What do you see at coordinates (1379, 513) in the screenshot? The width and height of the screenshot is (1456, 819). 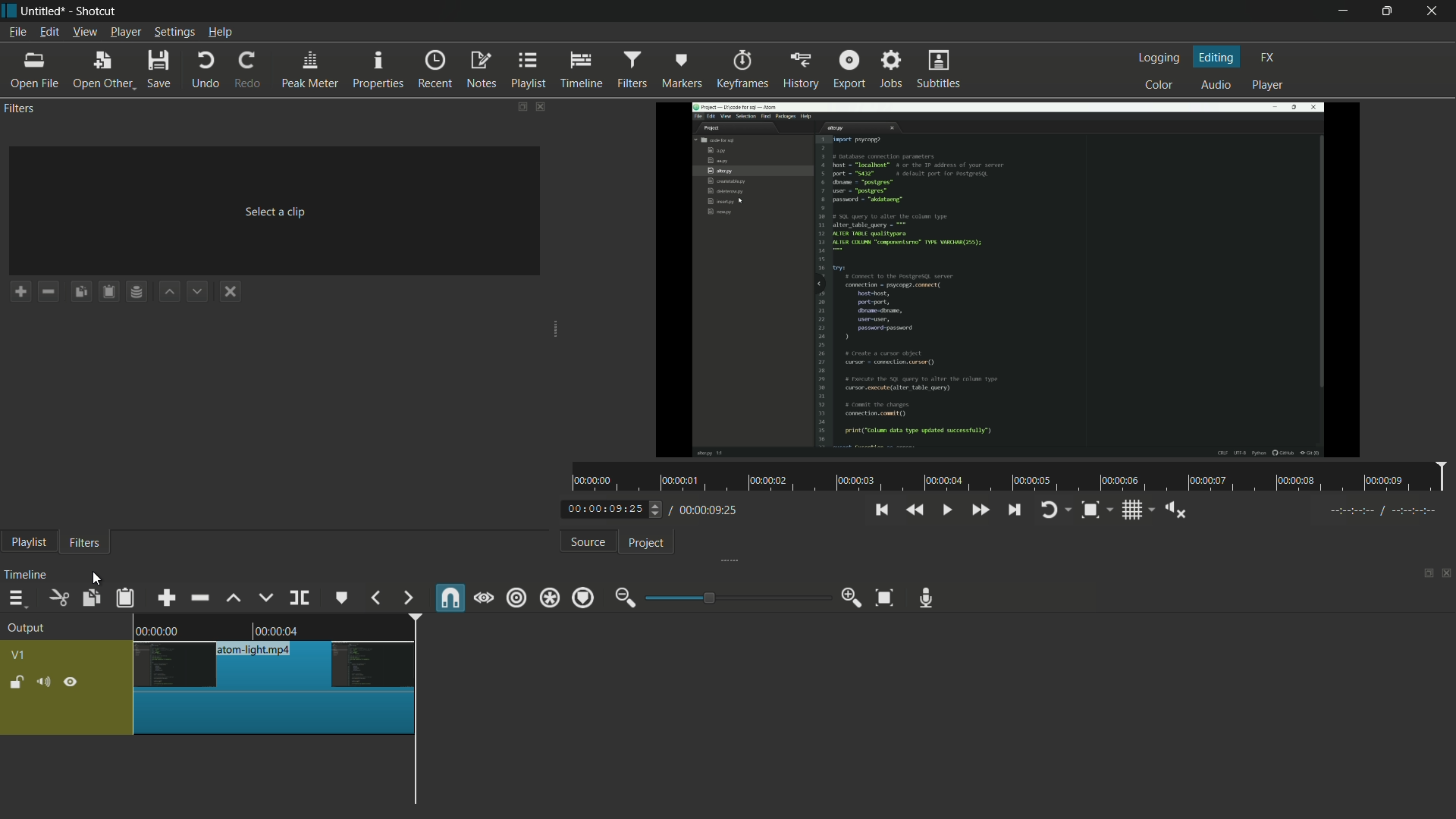 I see `` at bounding box center [1379, 513].